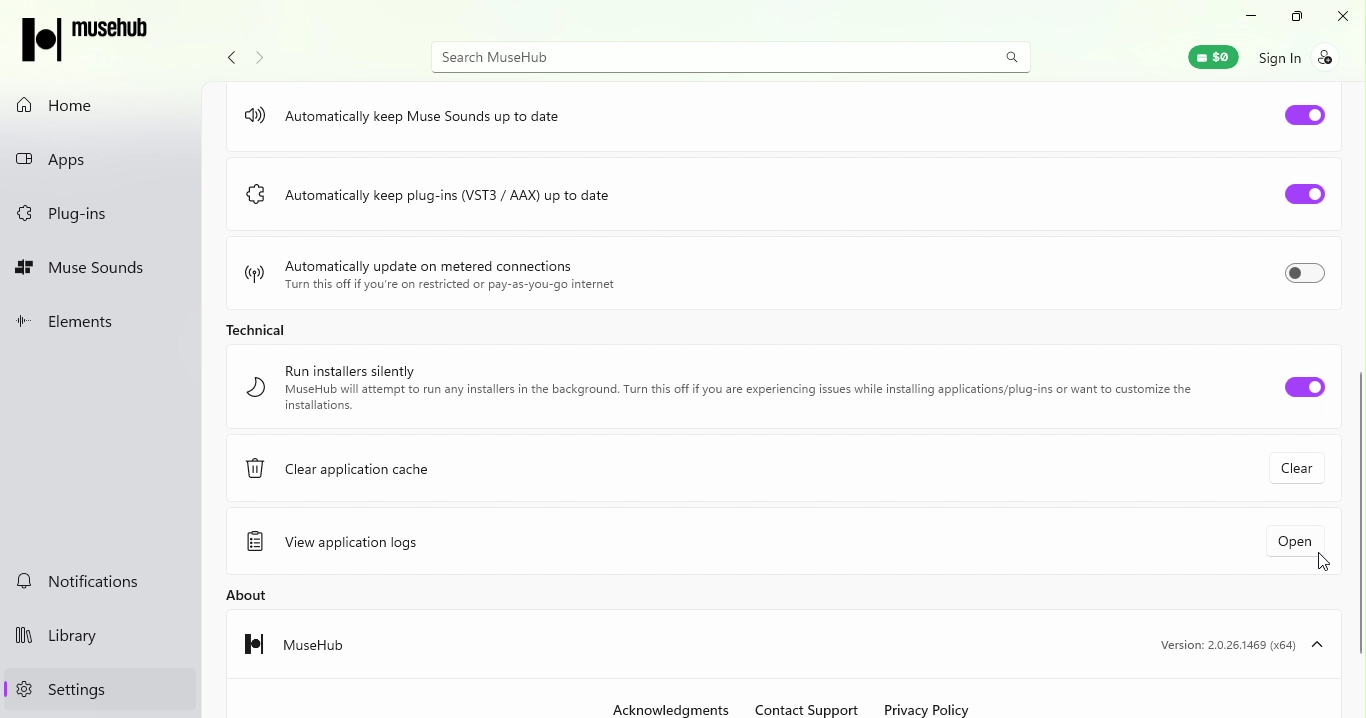 The image size is (1366, 718). What do you see at coordinates (1293, 16) in the screenshot?
I see `Maximize` at bounding box center [1293, 16].